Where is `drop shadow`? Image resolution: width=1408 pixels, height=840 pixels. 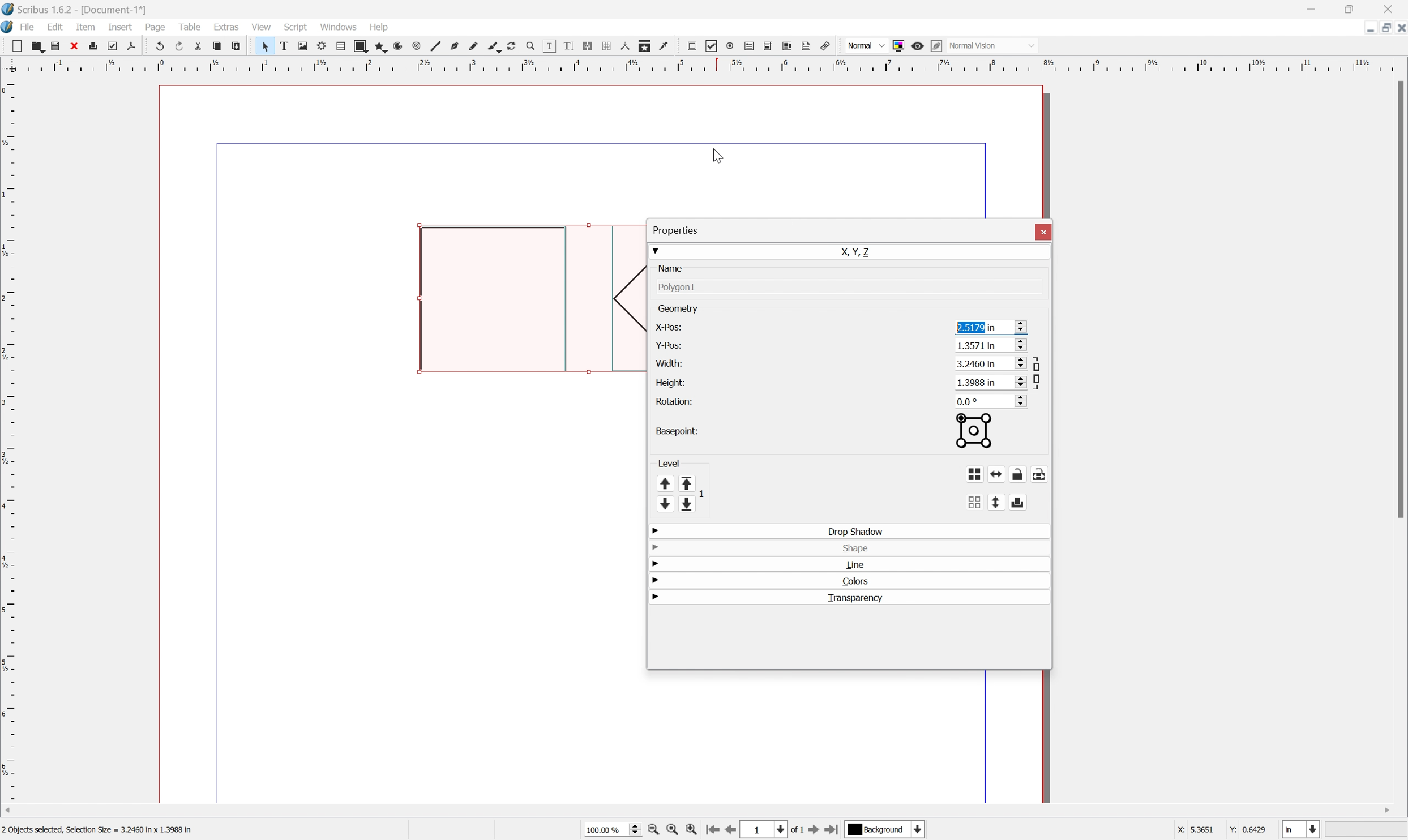 drop shadow is located at coordinates (855, 530).